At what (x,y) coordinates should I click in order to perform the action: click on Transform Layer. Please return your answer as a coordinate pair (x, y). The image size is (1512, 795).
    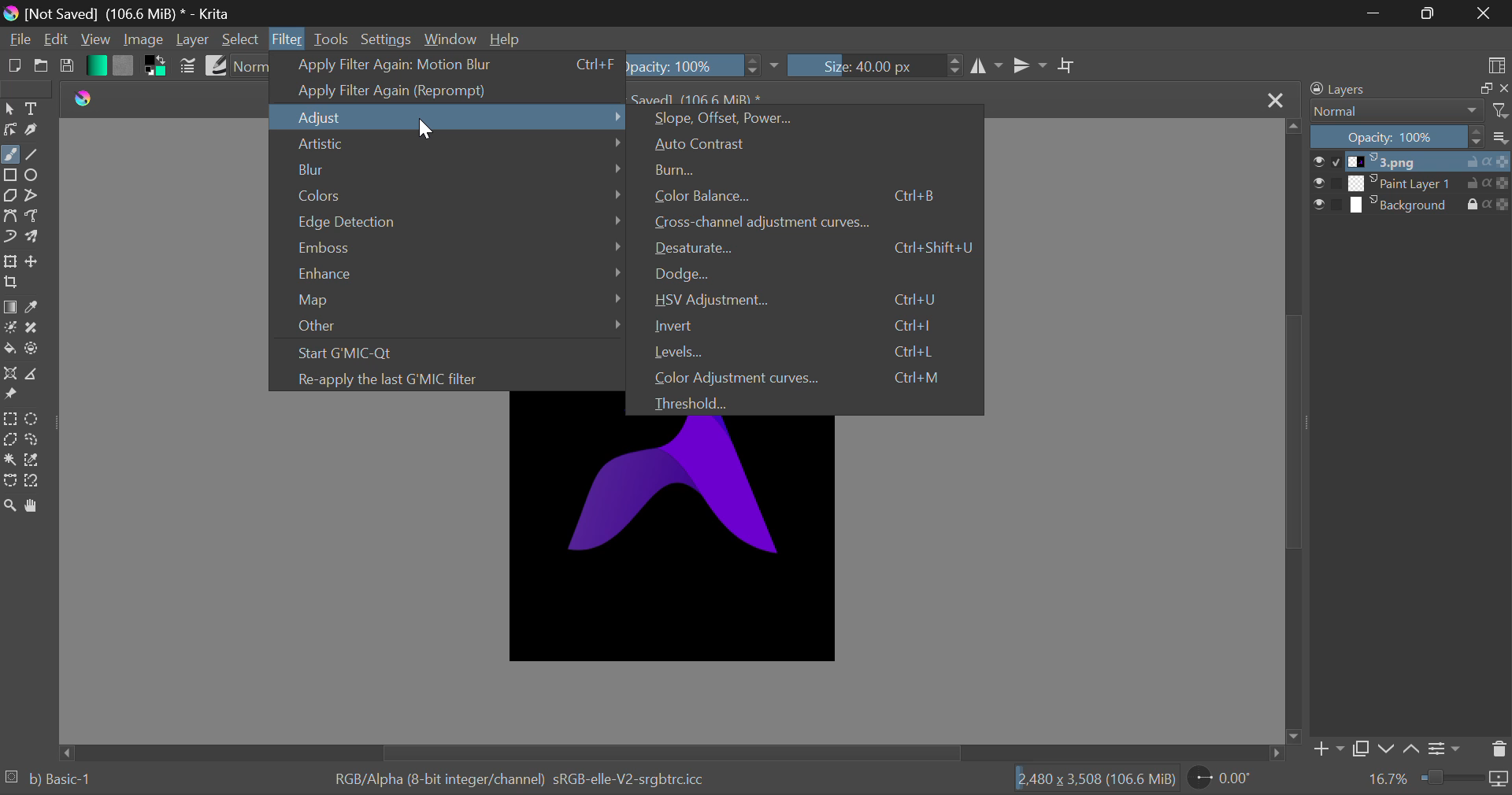
    Looking at the image, I should click on (10, 262).